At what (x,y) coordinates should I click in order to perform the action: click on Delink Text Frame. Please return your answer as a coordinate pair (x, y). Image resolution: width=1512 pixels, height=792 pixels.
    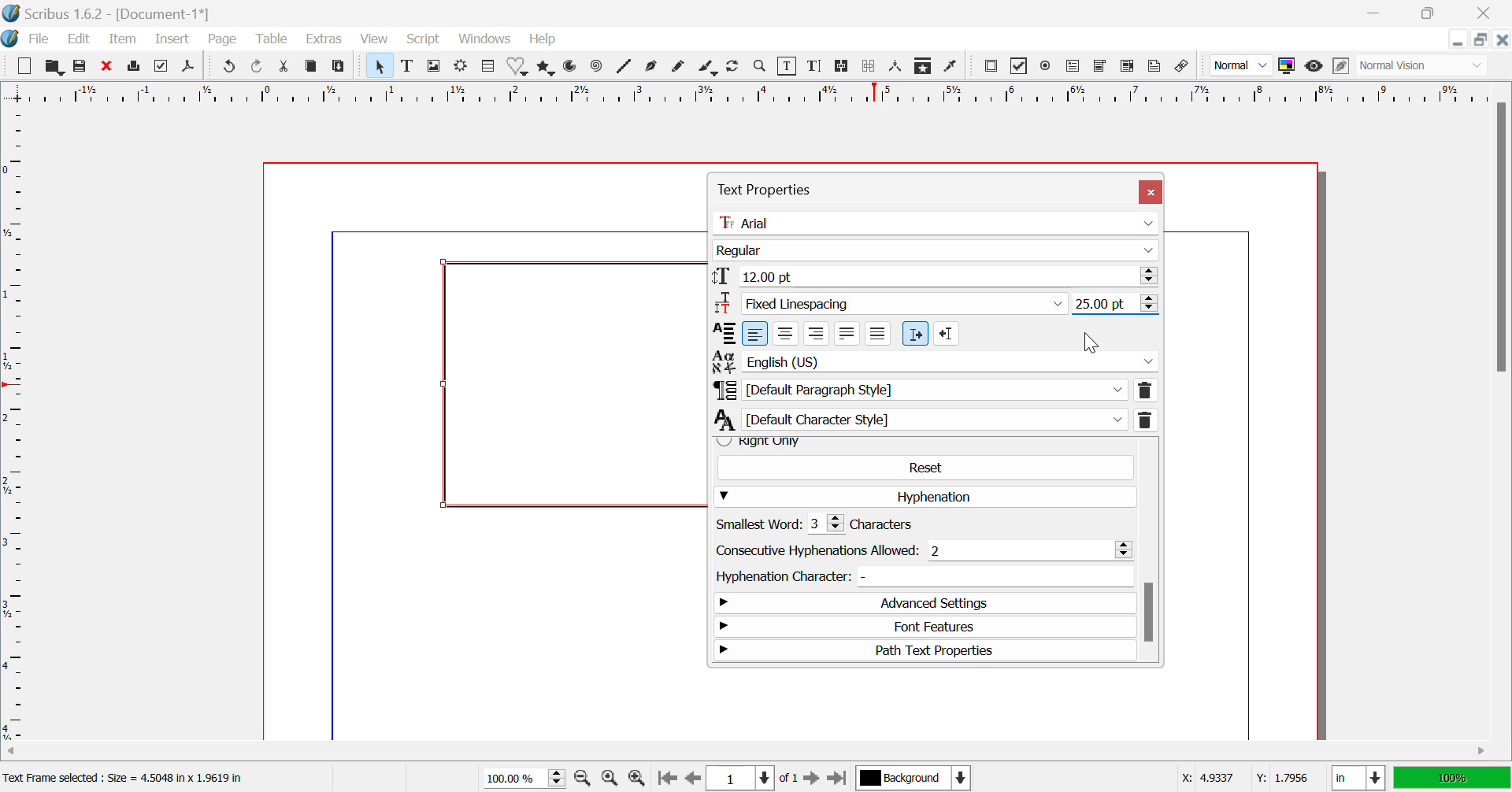
    Looking at the image, I should click on (869, 68).